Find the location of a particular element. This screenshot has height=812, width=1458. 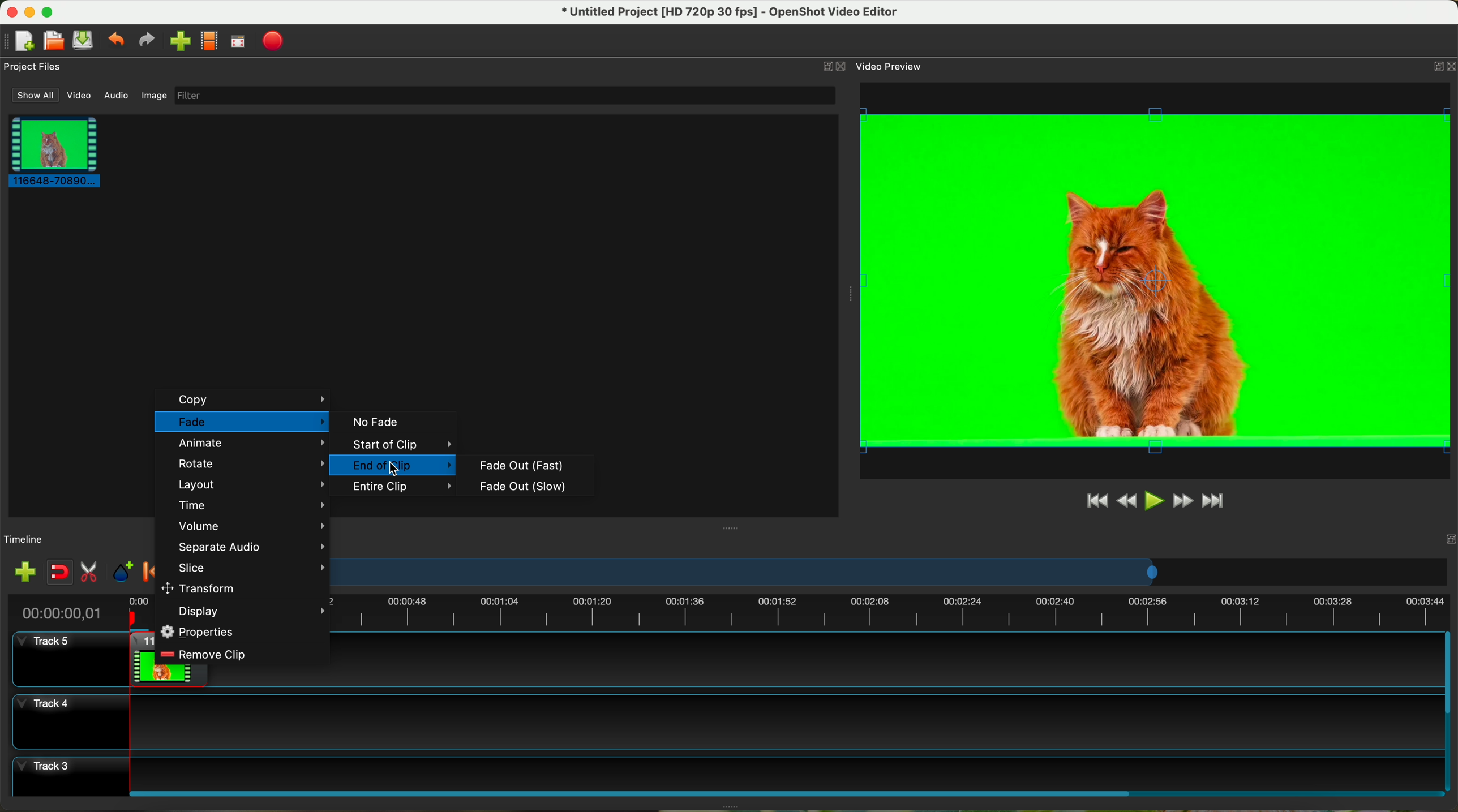

slice is located at coordinates (248, 568).